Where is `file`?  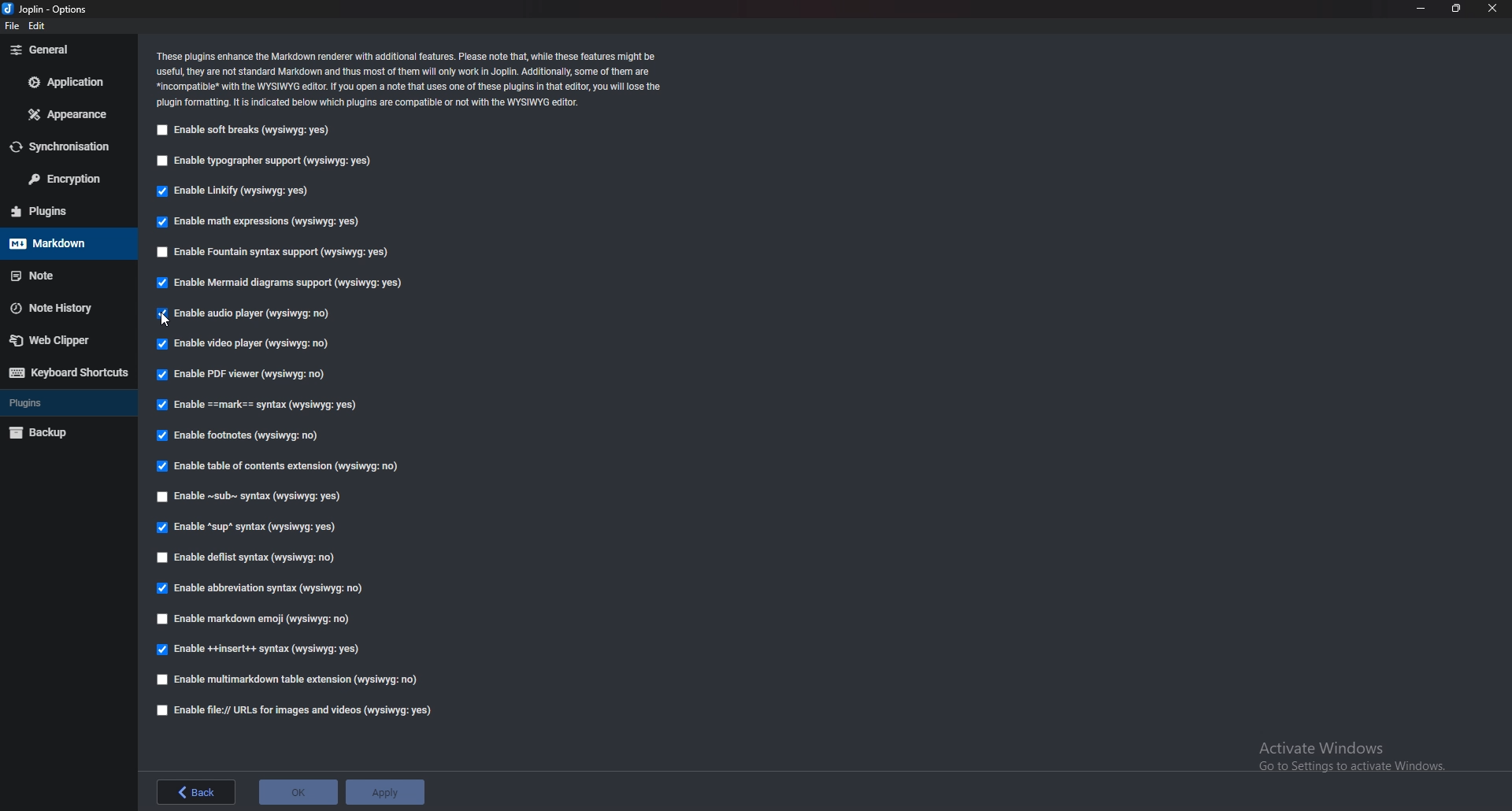 file is located at coordinates (13, 26).